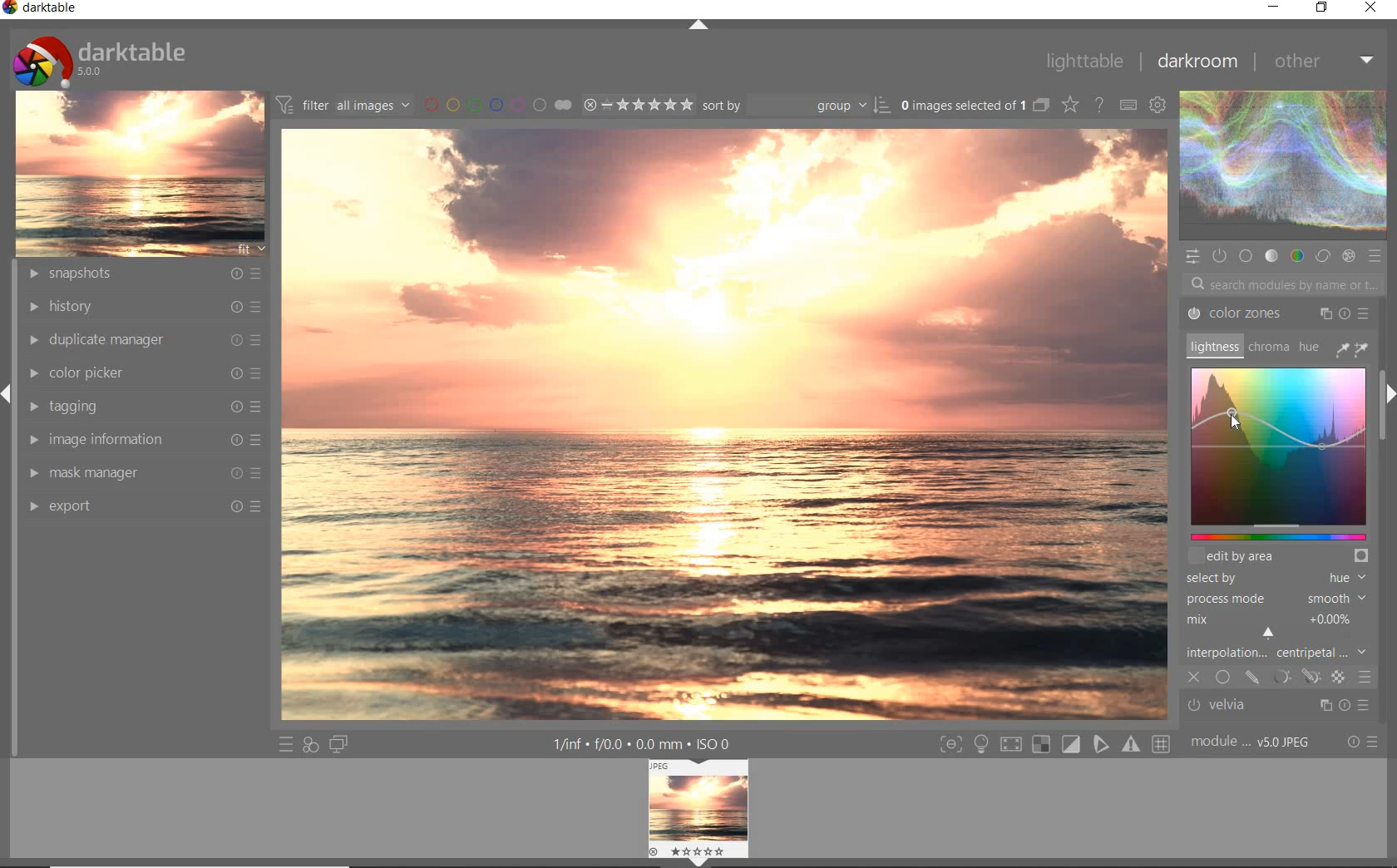 The image size is (1397, 868). Describe the element at coordinates (1310, 350) in the screenshot. I see `HUE` at that location.